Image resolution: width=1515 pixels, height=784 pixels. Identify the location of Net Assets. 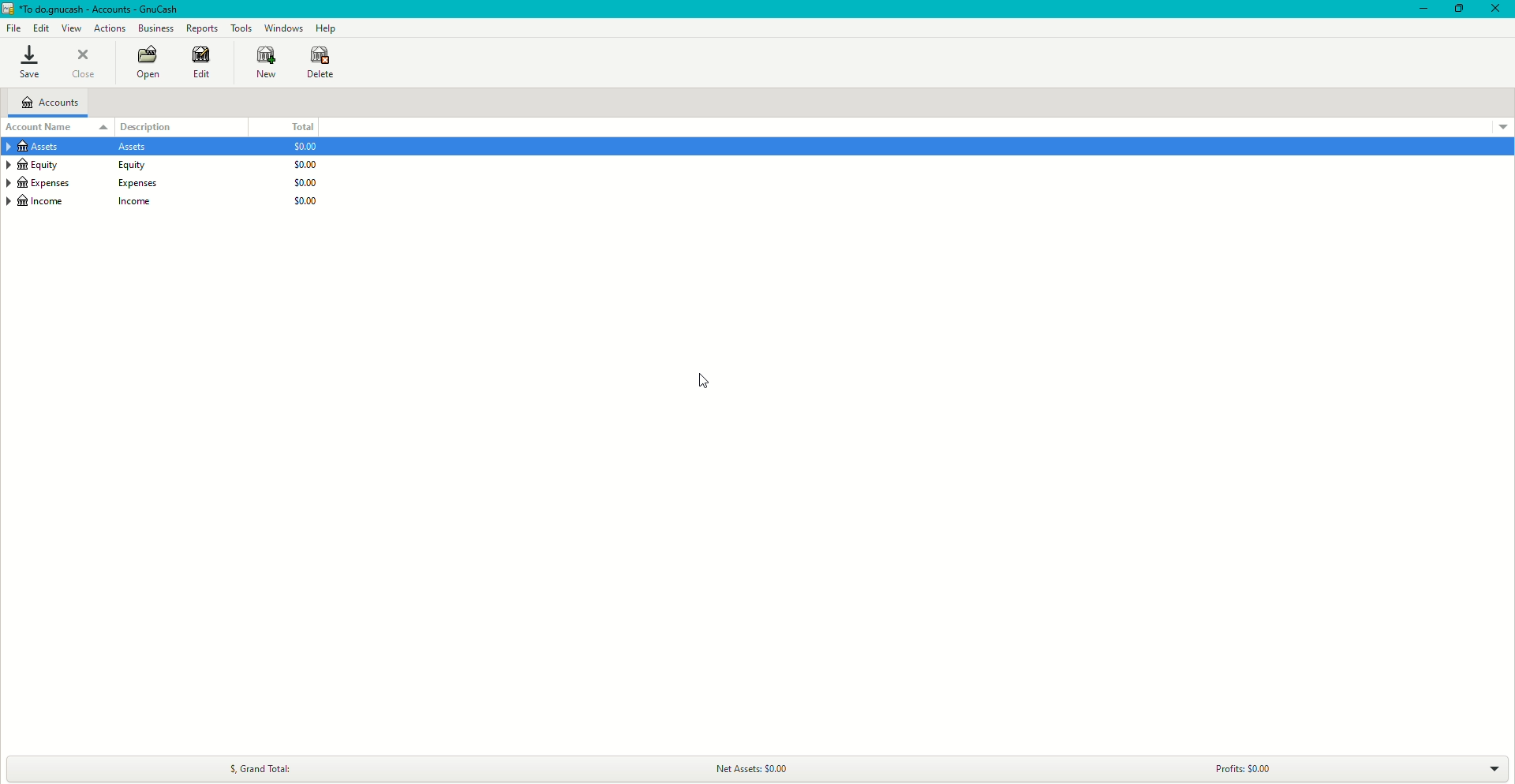
(764, 767).